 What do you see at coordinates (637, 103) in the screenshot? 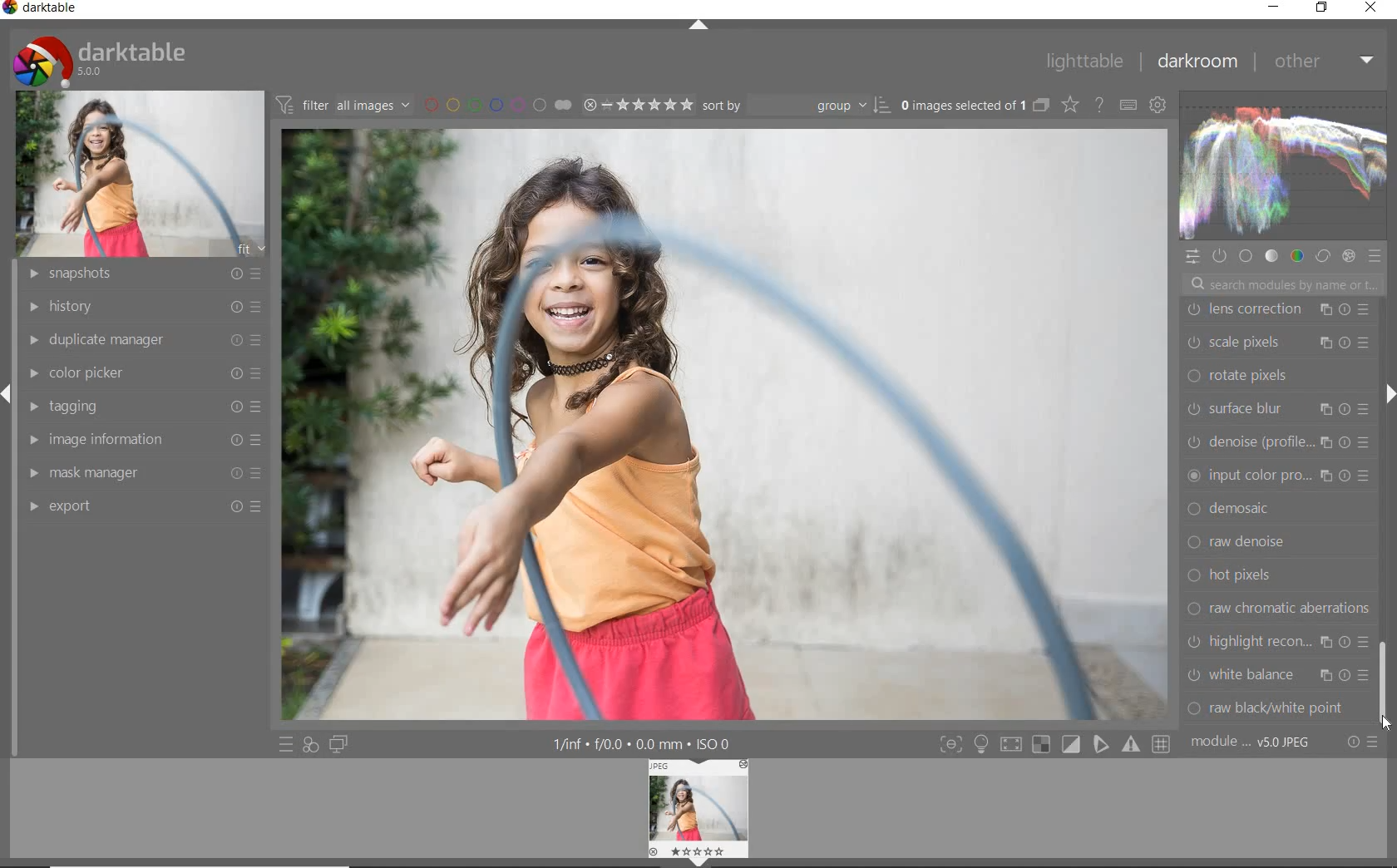
I see `selected image range rating` at bounding box center [637, 103].